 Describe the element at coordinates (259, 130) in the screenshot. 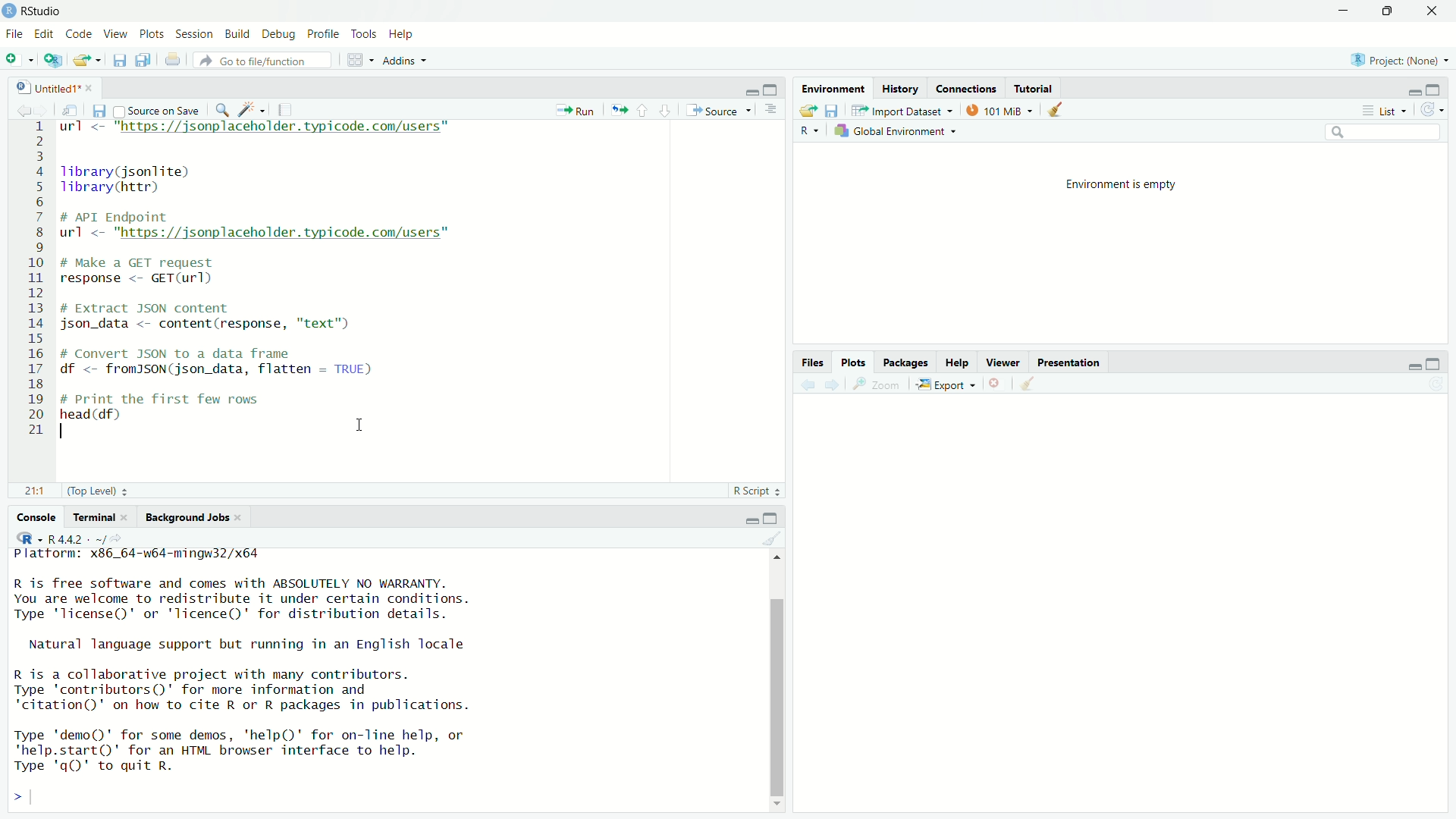

I see `url <- "https://jsonplaceholder.typicode.com/users` at that location.